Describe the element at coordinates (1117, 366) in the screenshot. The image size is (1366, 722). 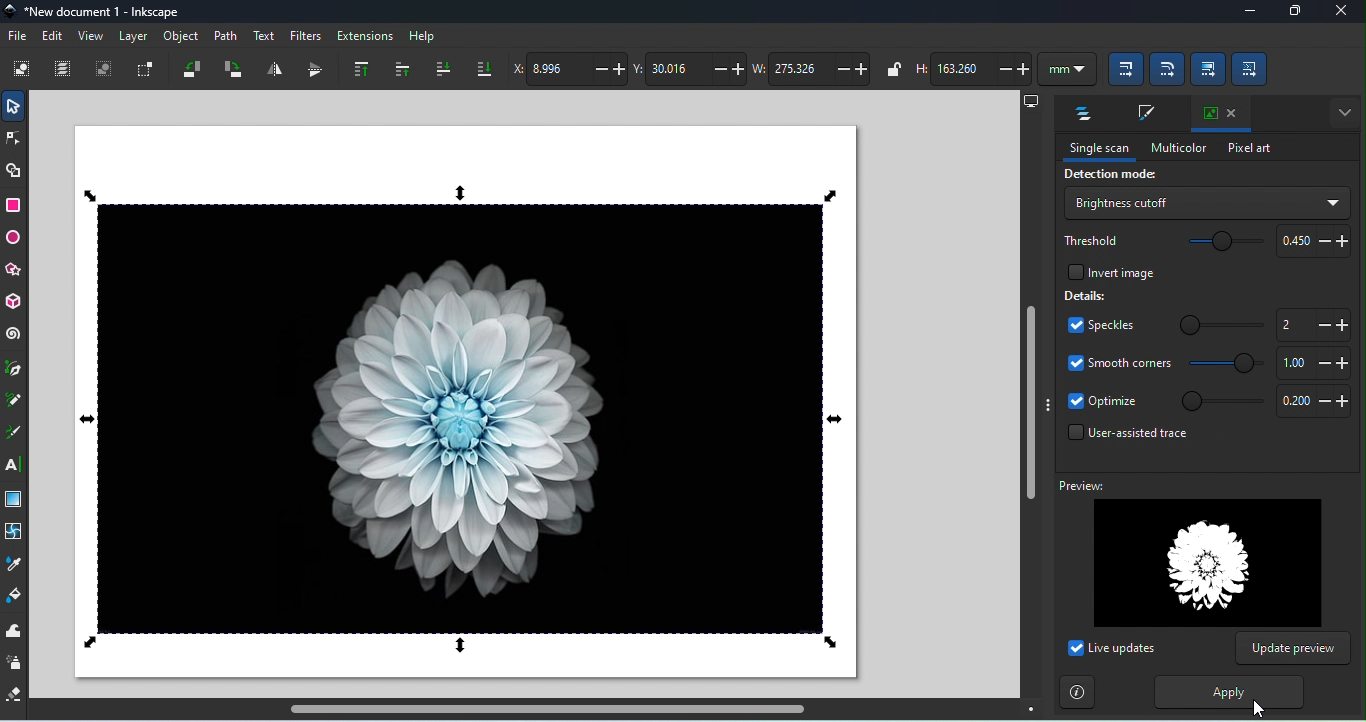
I see `Smooth corners` at that location.